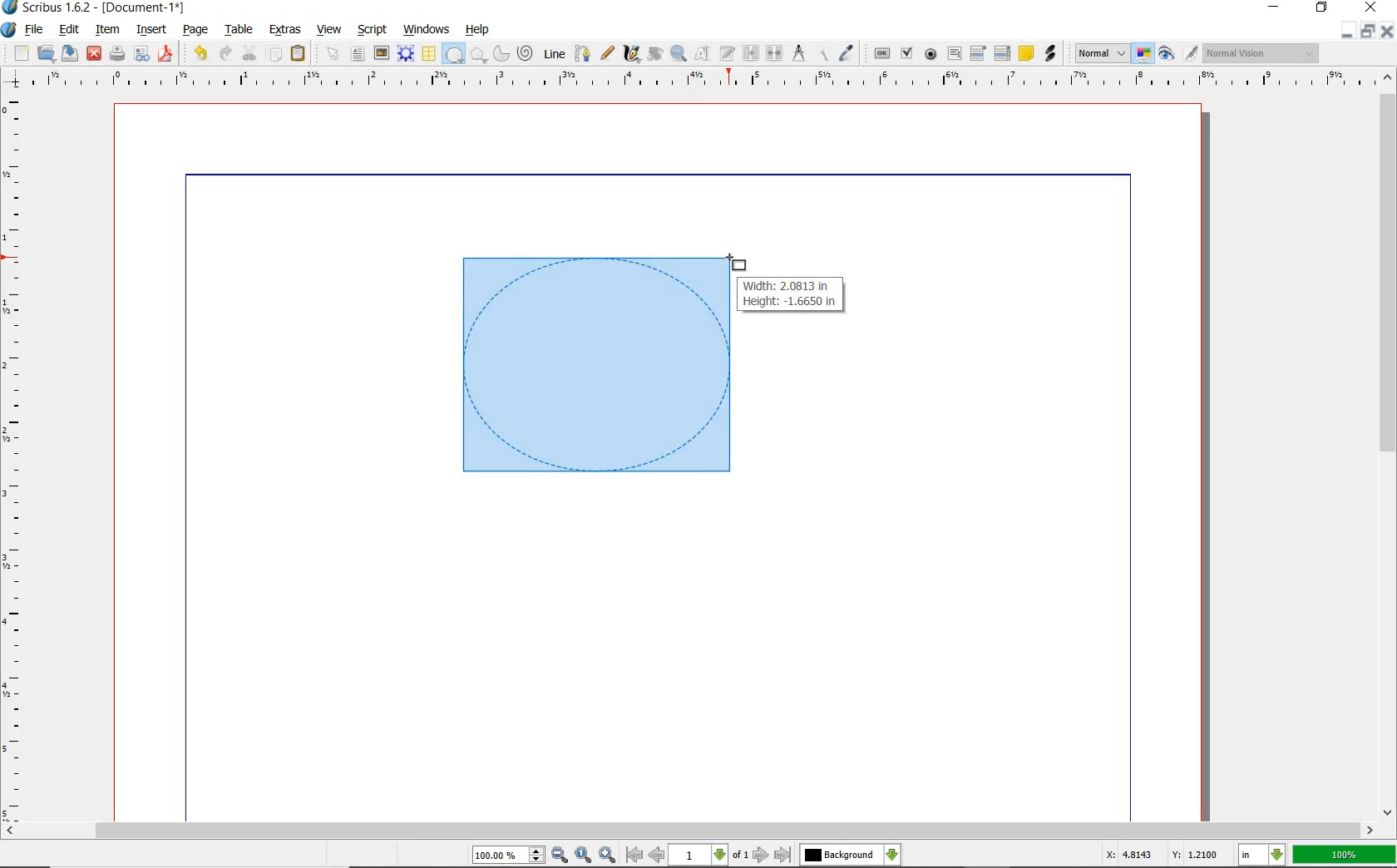  I want to click on LINK TEXT FRAME, so click(751, 52).